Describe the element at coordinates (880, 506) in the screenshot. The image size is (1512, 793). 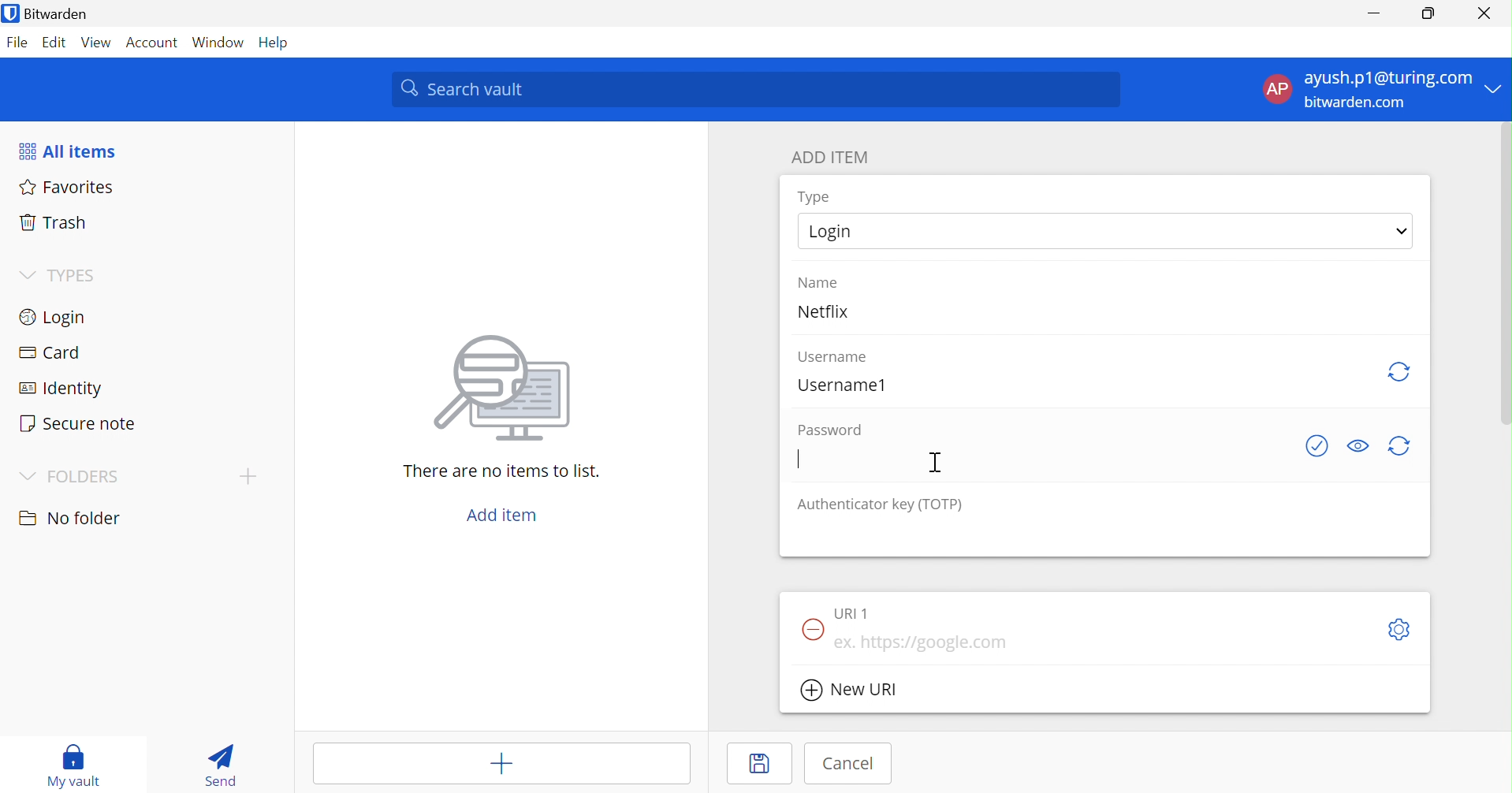
I see `Authentication key (TOTP)` at that location.